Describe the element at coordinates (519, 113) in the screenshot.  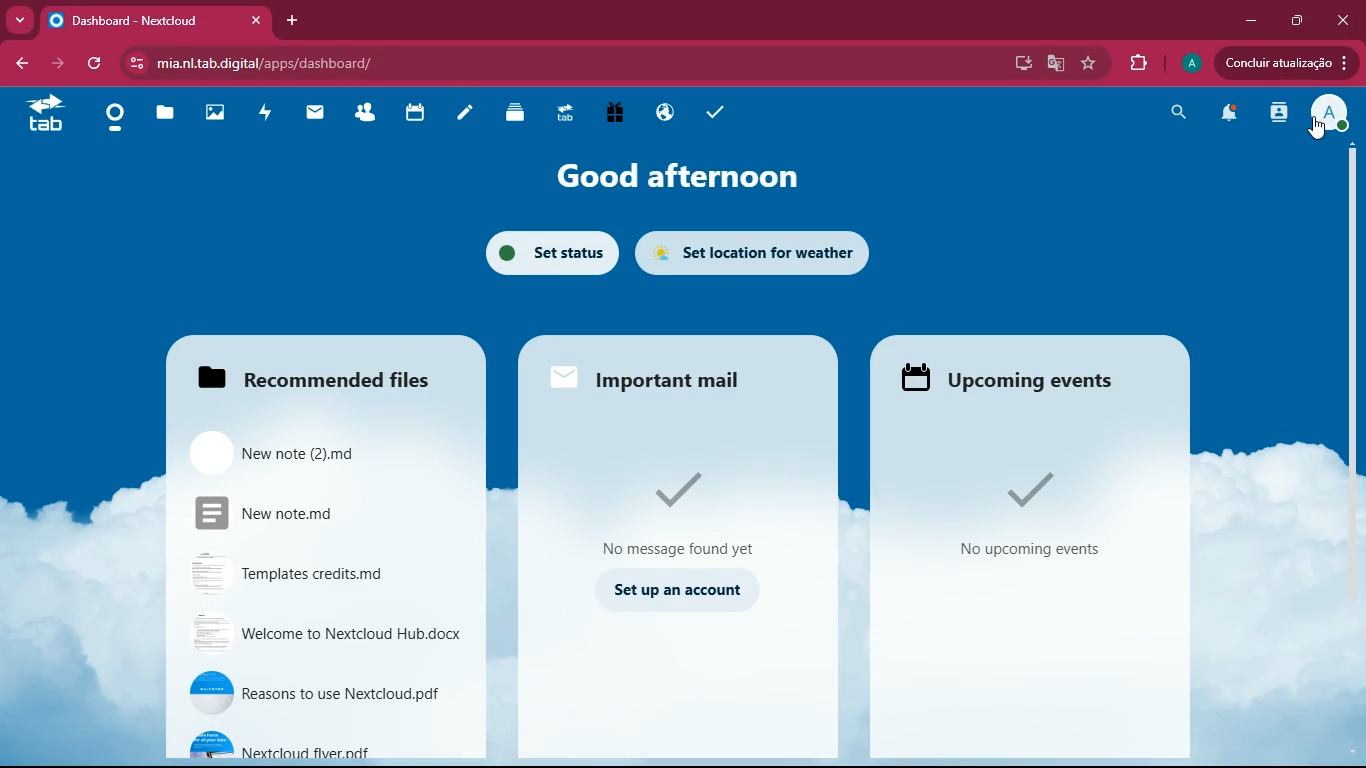
I see `layers` at that location.